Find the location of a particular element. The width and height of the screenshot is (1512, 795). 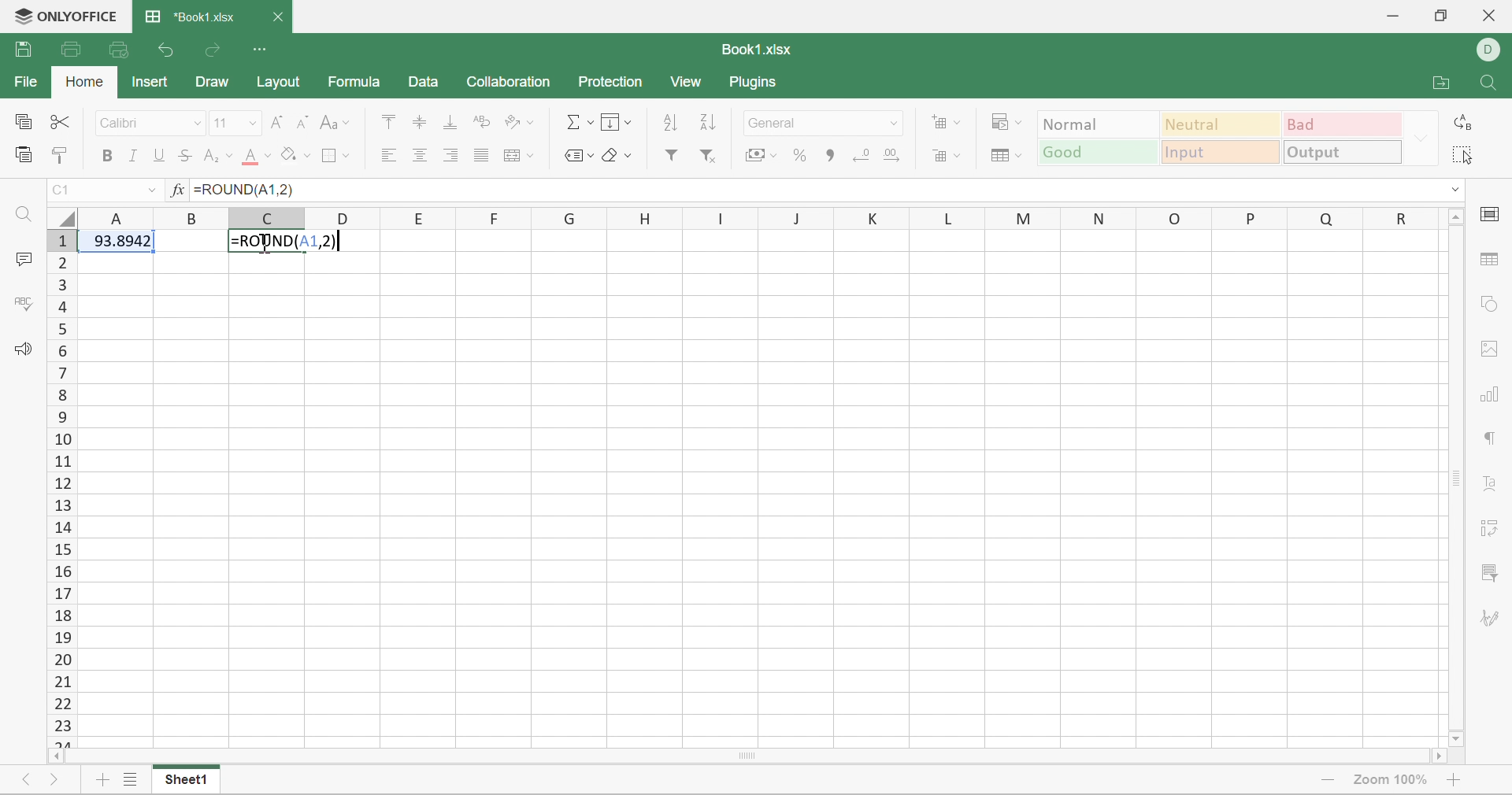

Column Names is located at coordinates (759, 216).